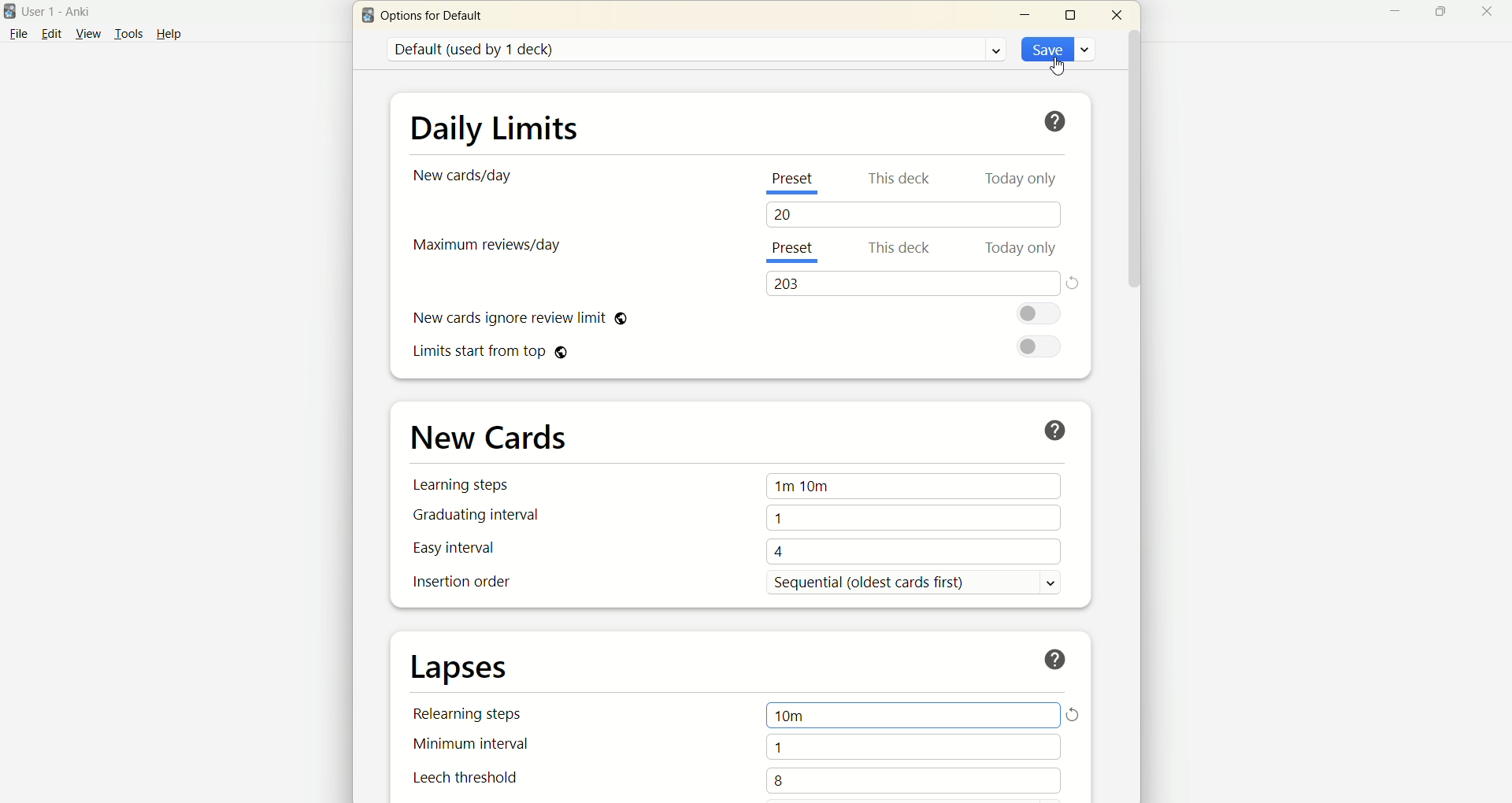 This screenshot has height=803, width=1512. I want to click on save, so click(1055, 47).